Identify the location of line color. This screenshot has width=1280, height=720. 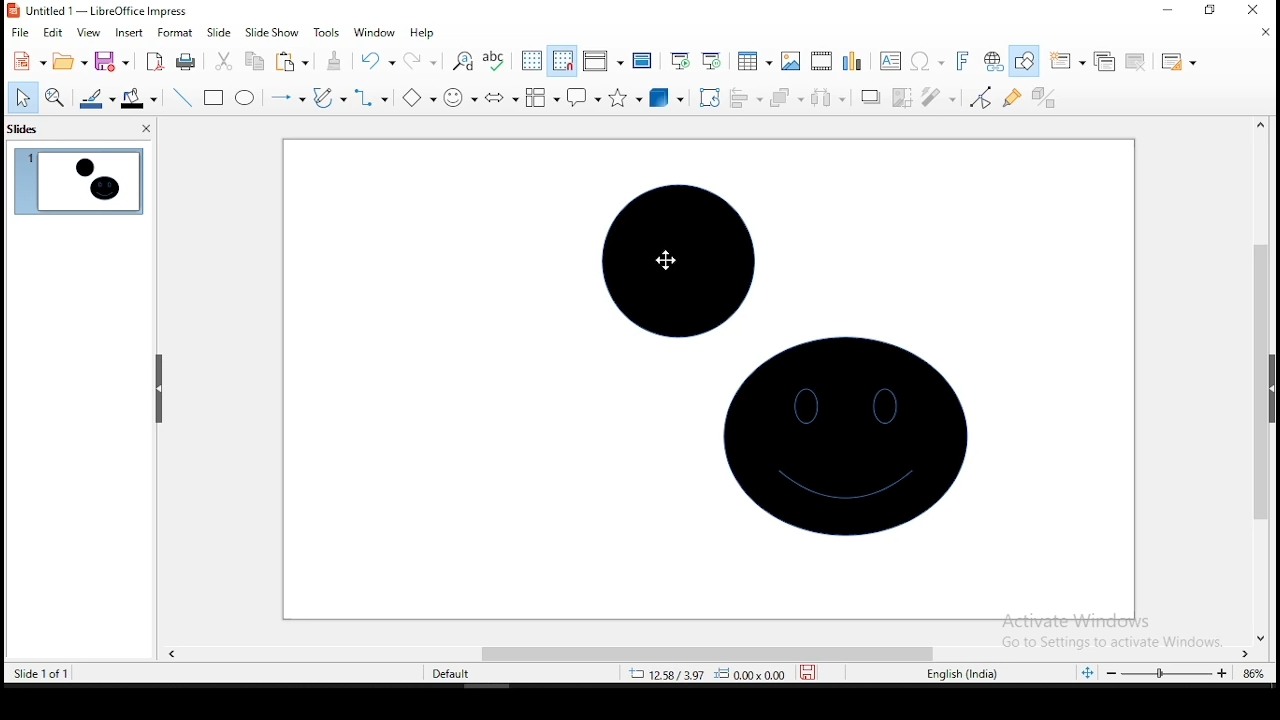
(96, 101).